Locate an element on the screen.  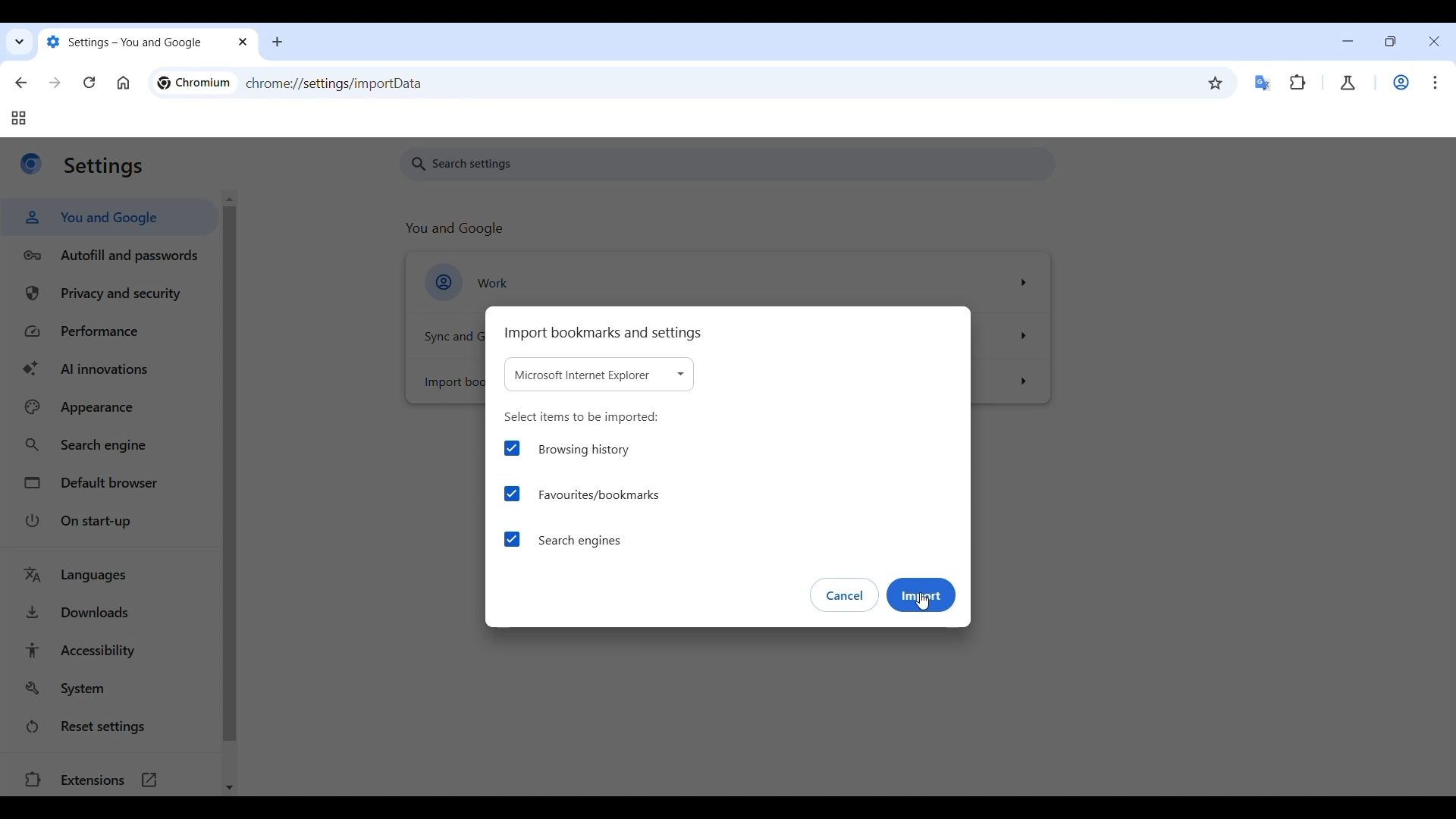
chromium is located at coordinates (193, 83).